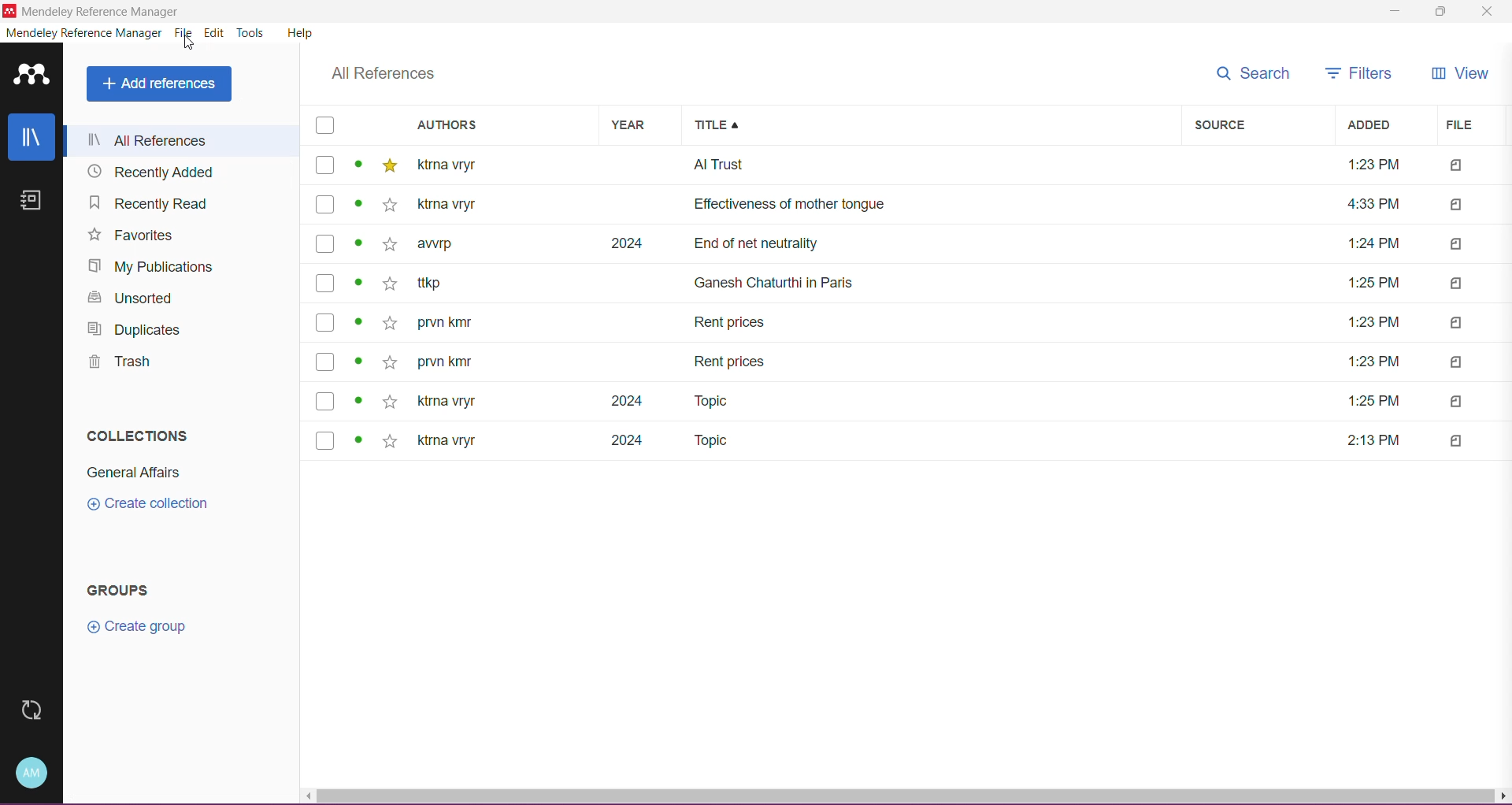 This screenshot has width=1512, height=805. I want to click on File, so click(185, 33).